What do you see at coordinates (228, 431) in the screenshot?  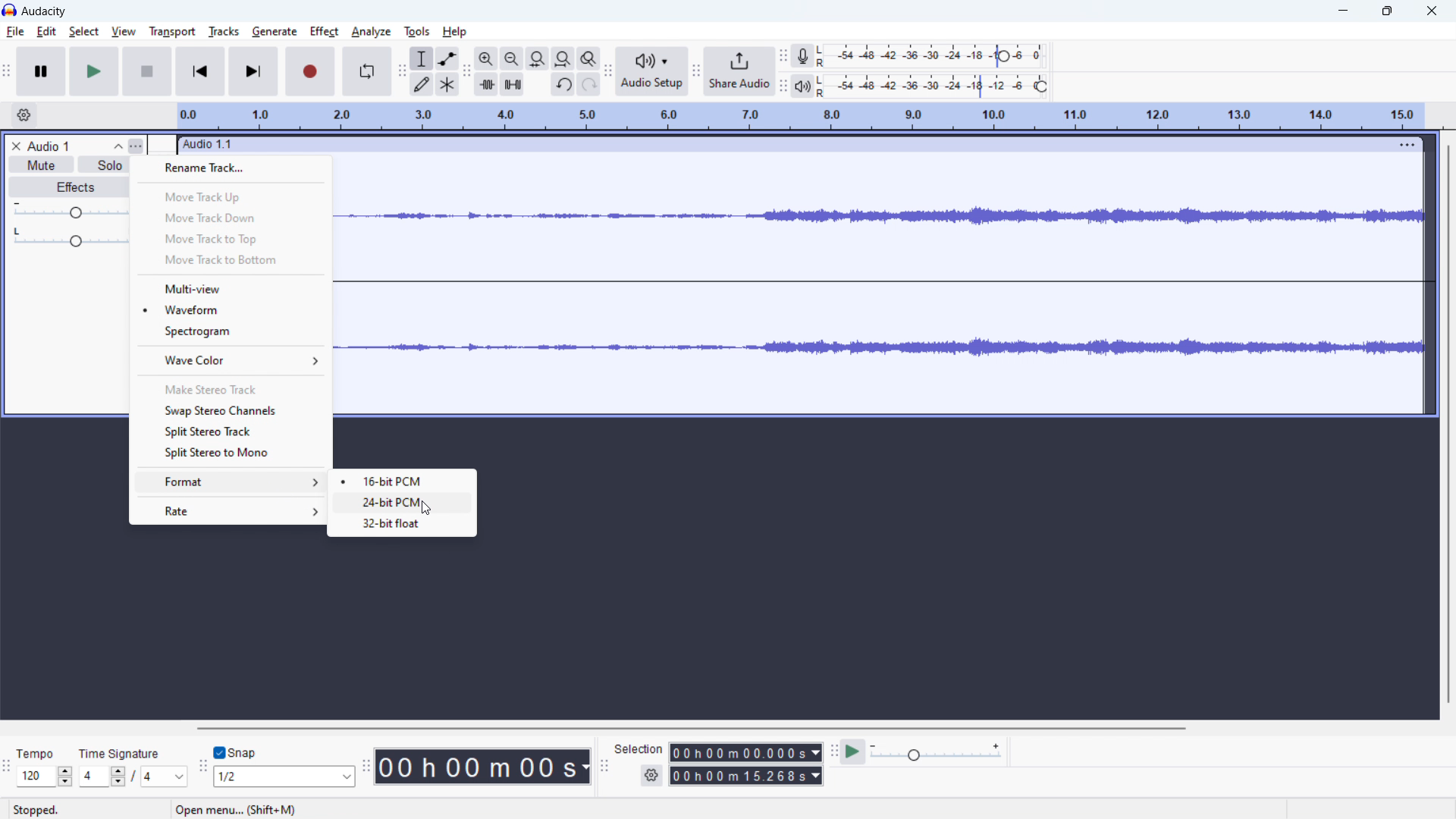 I see `split stereo track` at bounding box center [228, 431].